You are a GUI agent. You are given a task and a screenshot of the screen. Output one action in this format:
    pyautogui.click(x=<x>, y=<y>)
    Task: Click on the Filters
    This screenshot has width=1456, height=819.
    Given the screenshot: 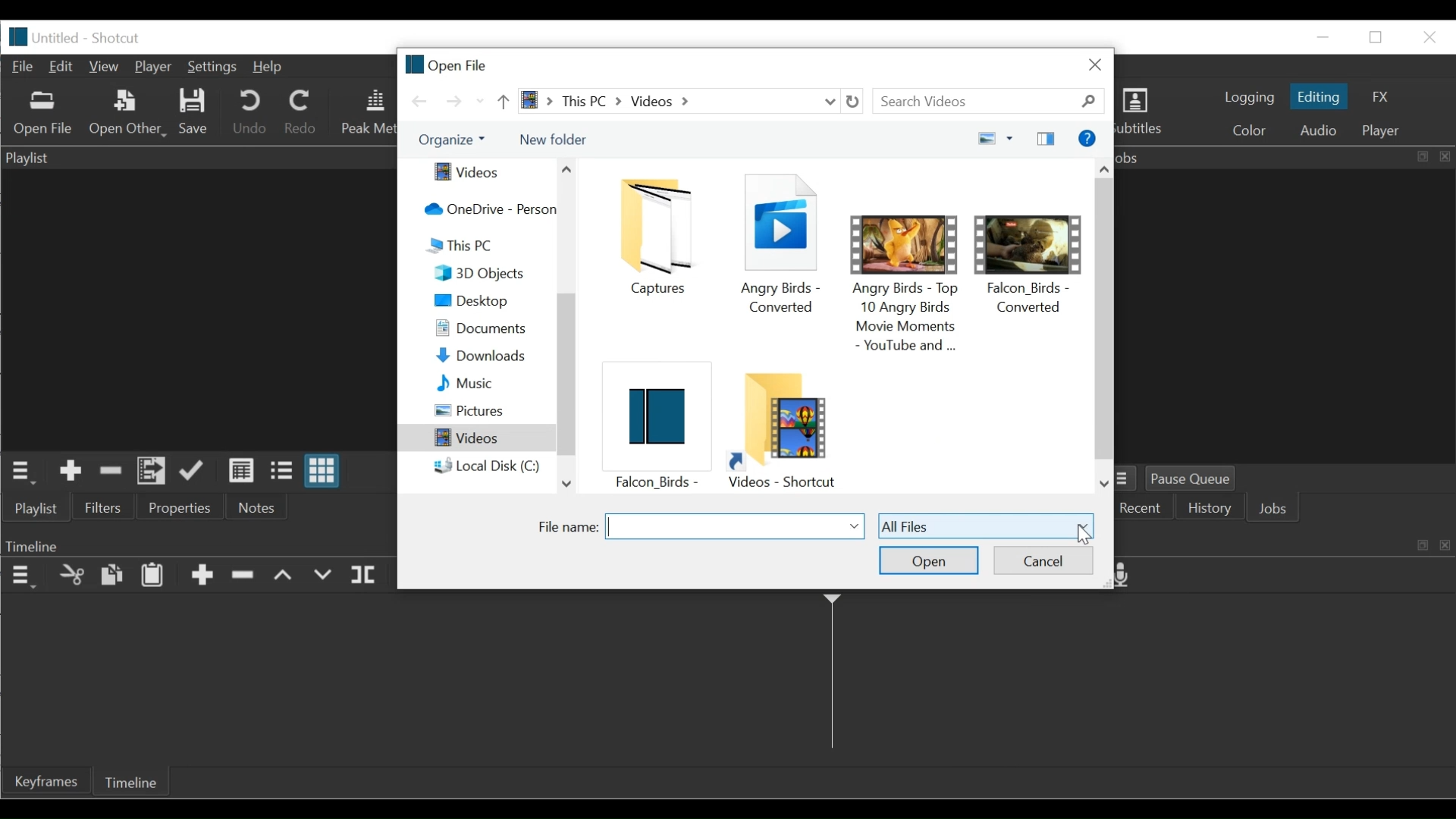 What is the action you would take?
    pyautogui.click(x=102, y=506)
    